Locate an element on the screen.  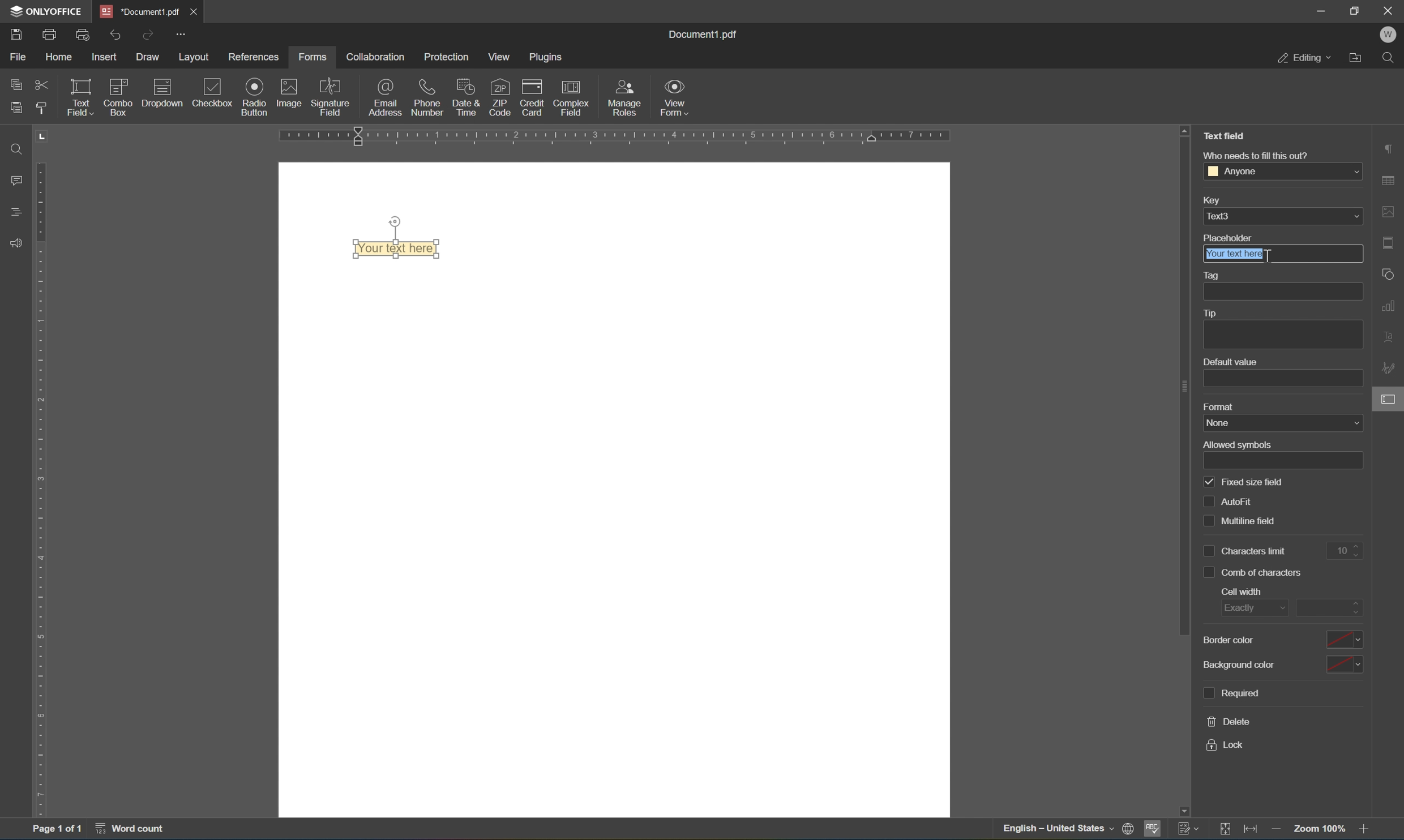
date & time is located at coordinates (464, 96).